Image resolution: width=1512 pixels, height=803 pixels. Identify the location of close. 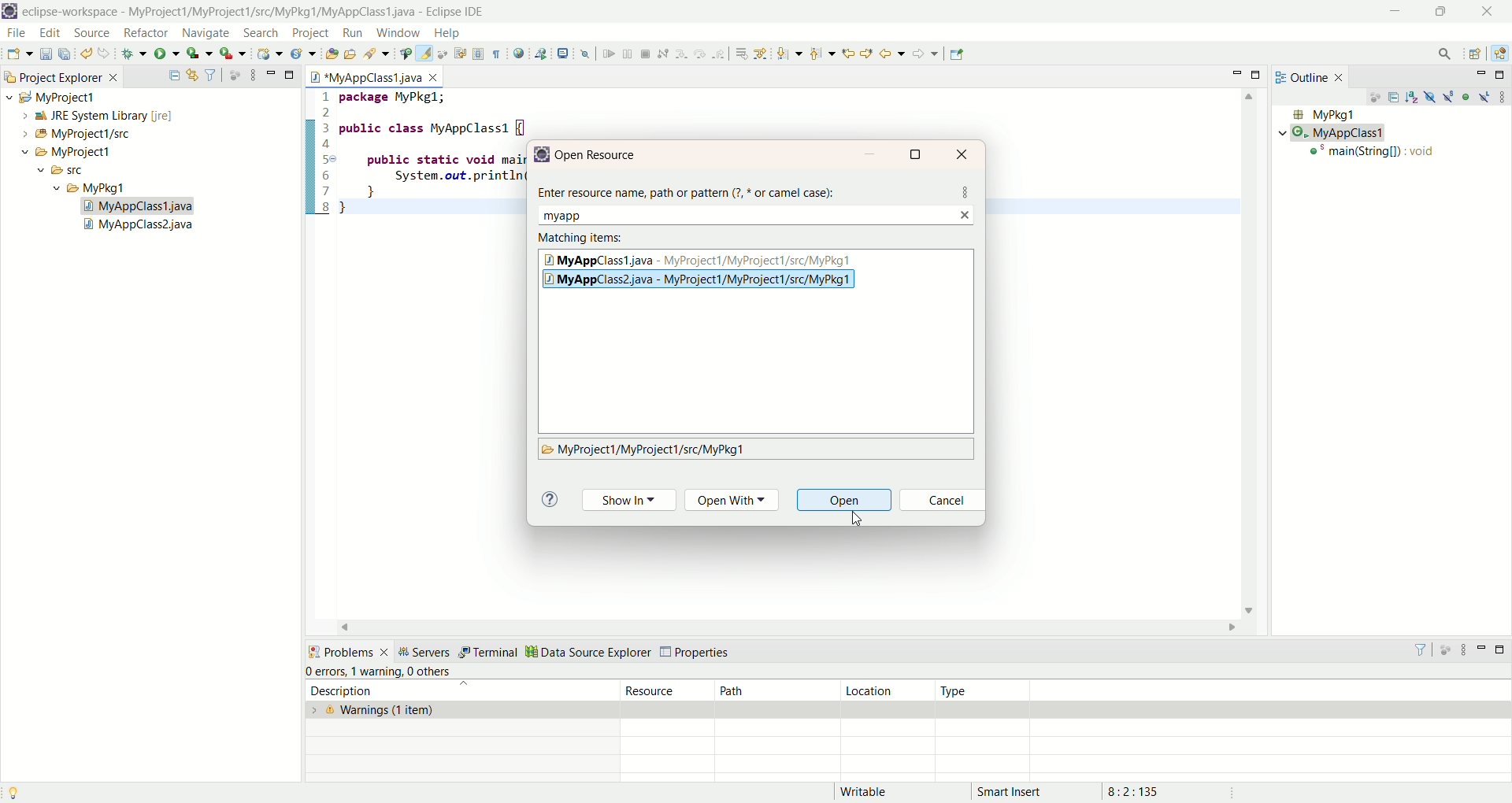
(965, 153).